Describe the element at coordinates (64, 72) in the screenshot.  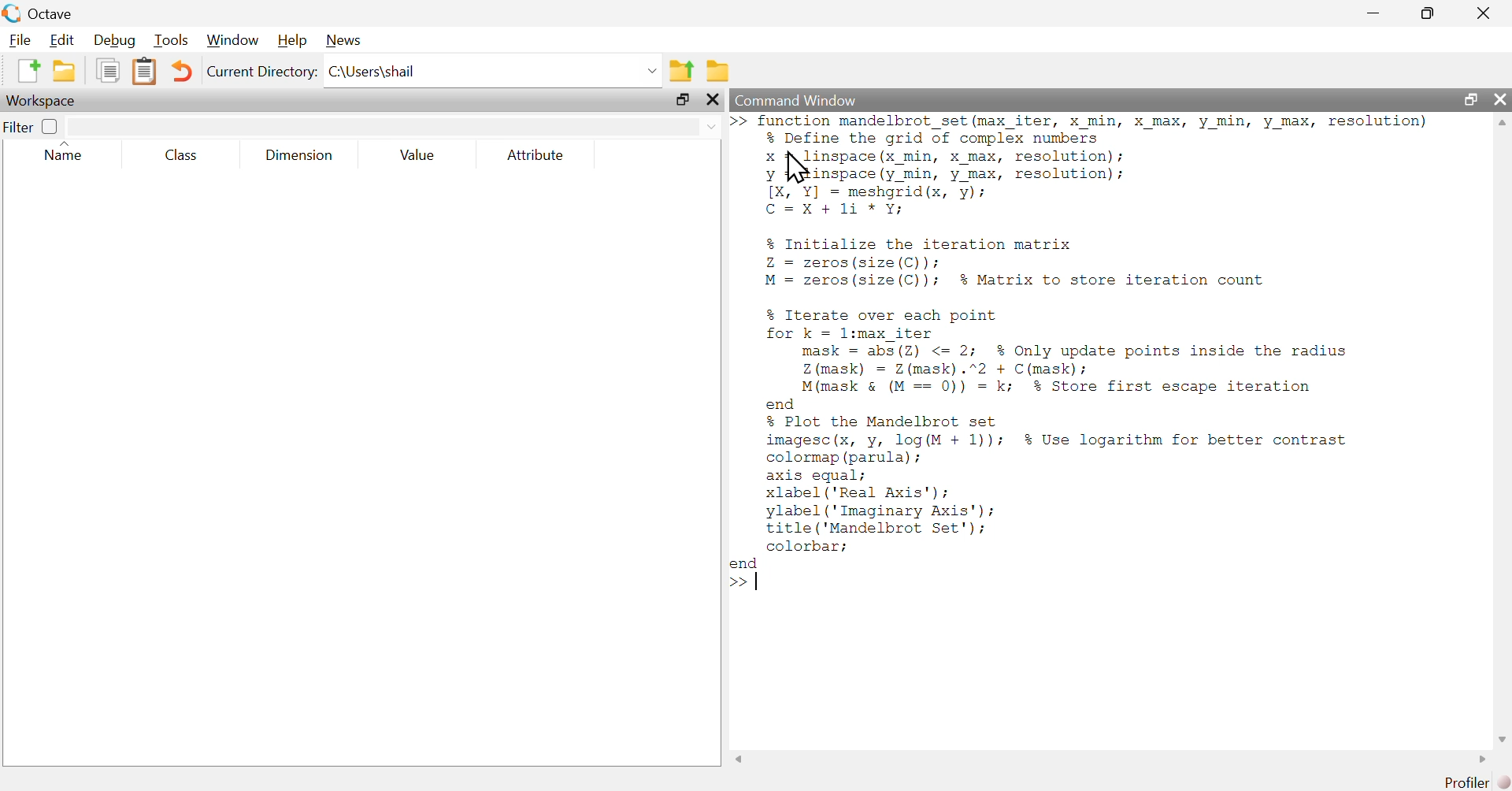
I see `open an existing file in editor` at that location.